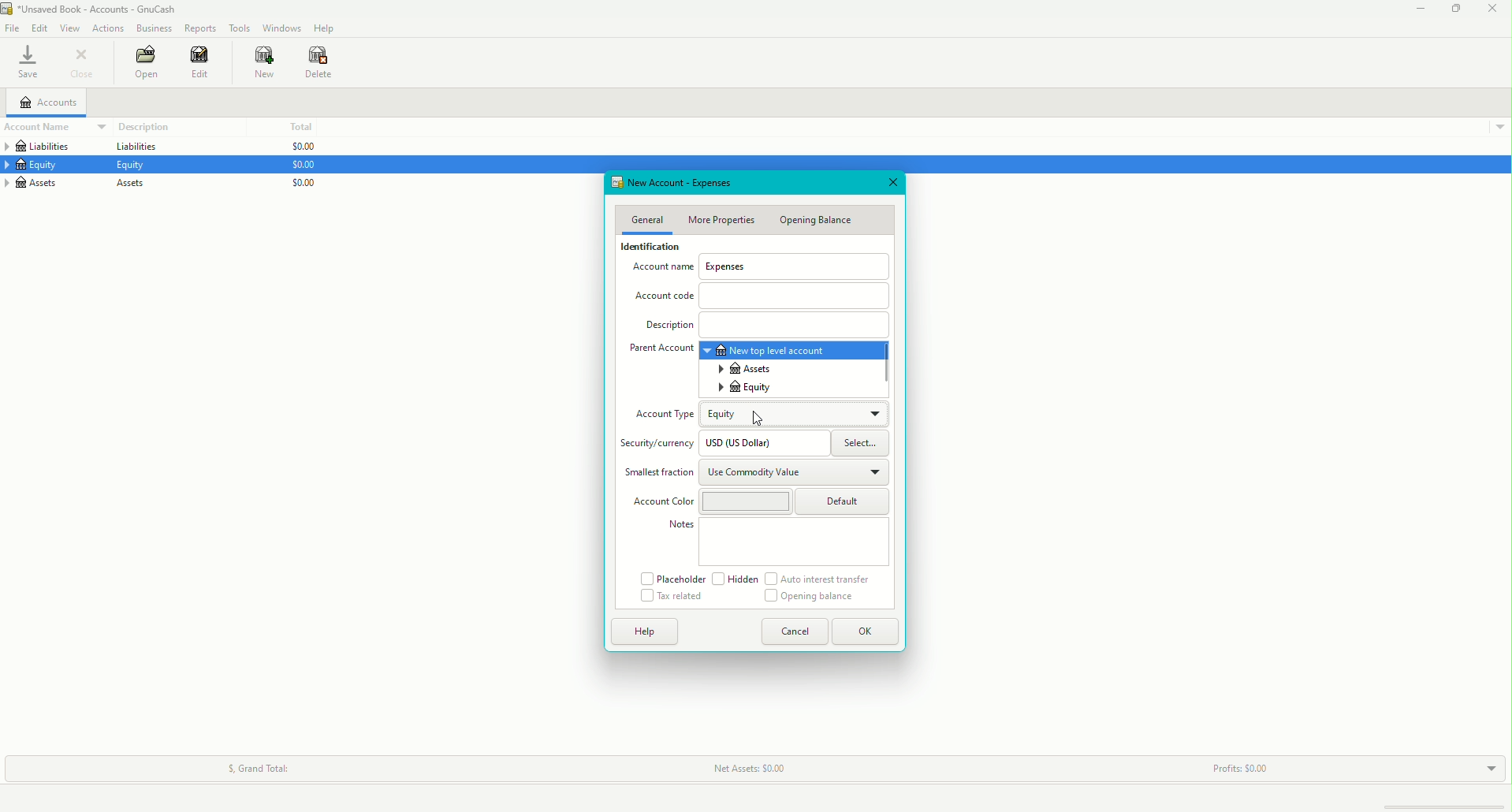  Describe the element at coordinates (663, 413) in the screenshot. I see `Account Type` at that location.